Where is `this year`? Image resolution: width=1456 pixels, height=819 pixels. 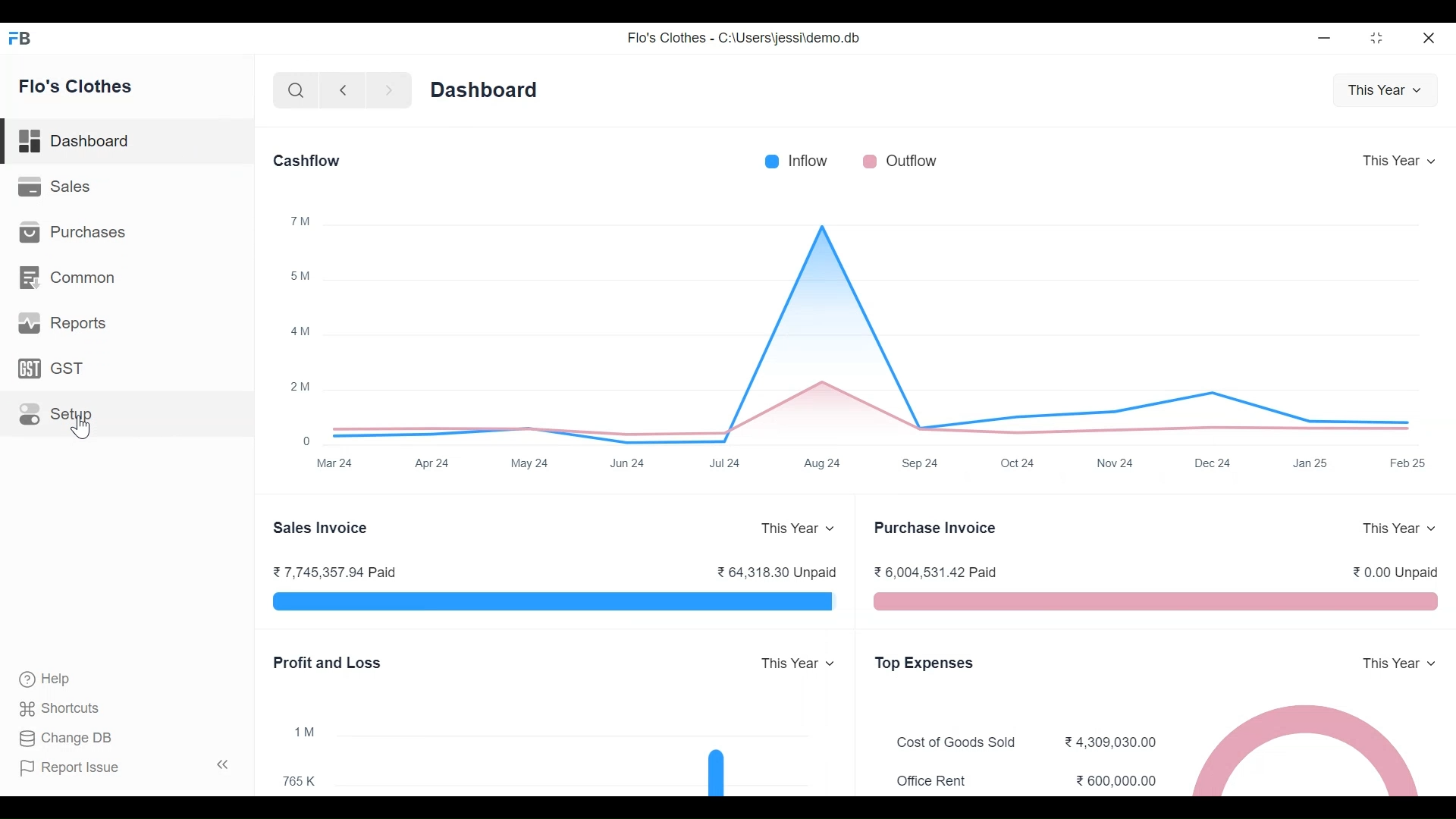
this year is located at coordinates (1400, 664).